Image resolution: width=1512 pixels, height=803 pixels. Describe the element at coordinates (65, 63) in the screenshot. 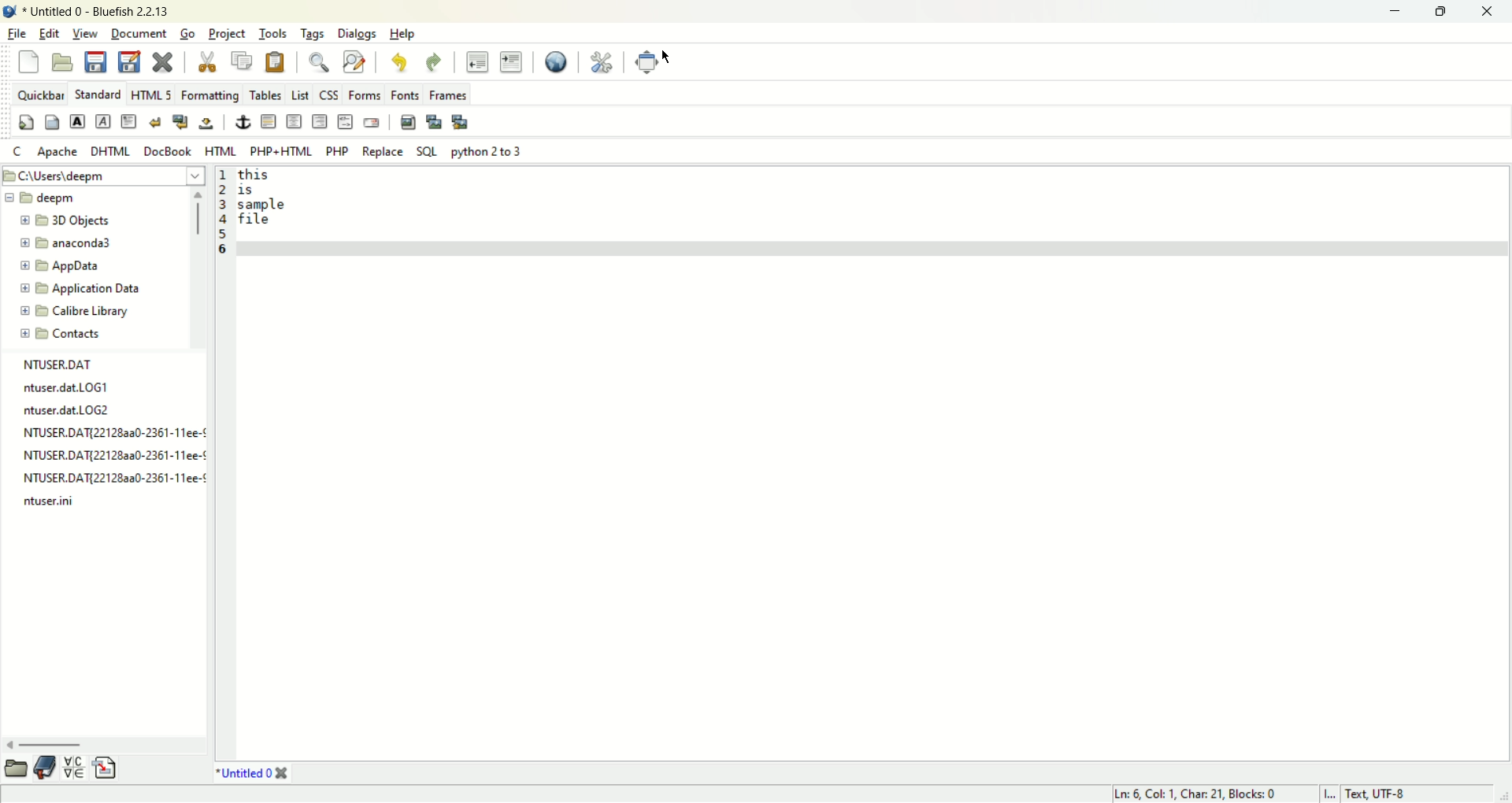

I see `open` at that location.